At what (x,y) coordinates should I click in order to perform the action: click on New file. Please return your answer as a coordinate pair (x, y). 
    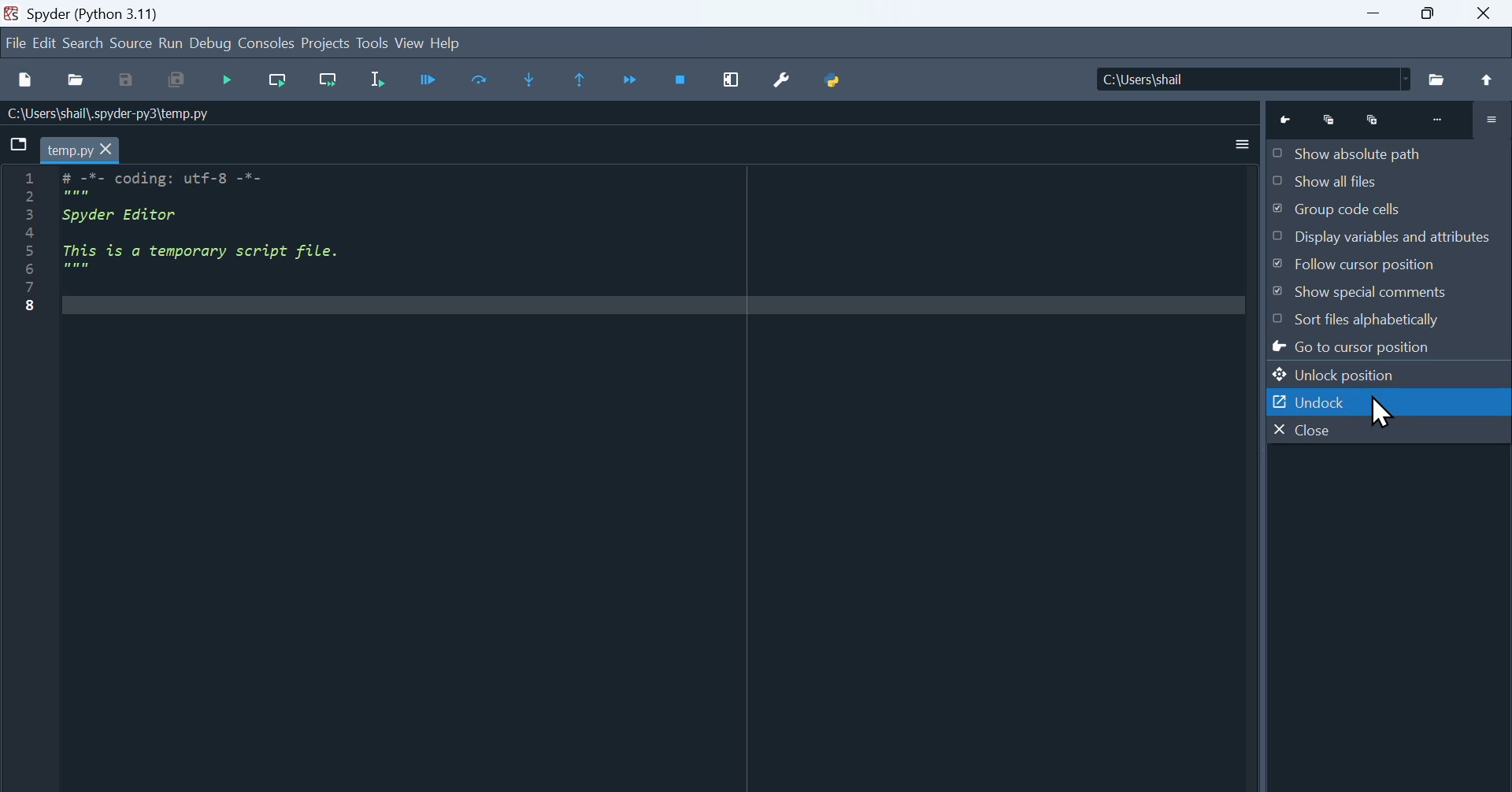
    Looking at the image, I should click on (28, 79).